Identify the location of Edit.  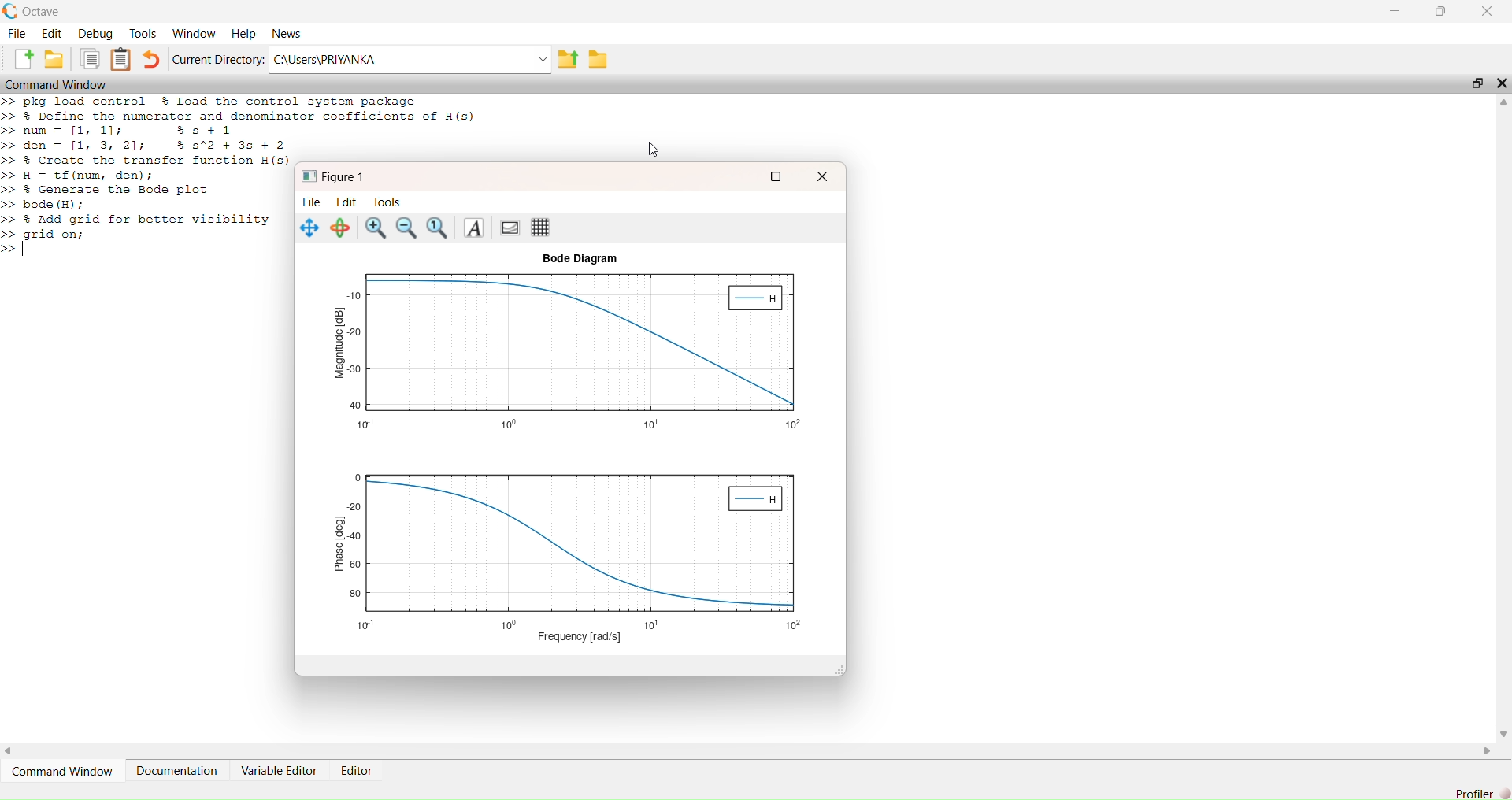
(346, 202).